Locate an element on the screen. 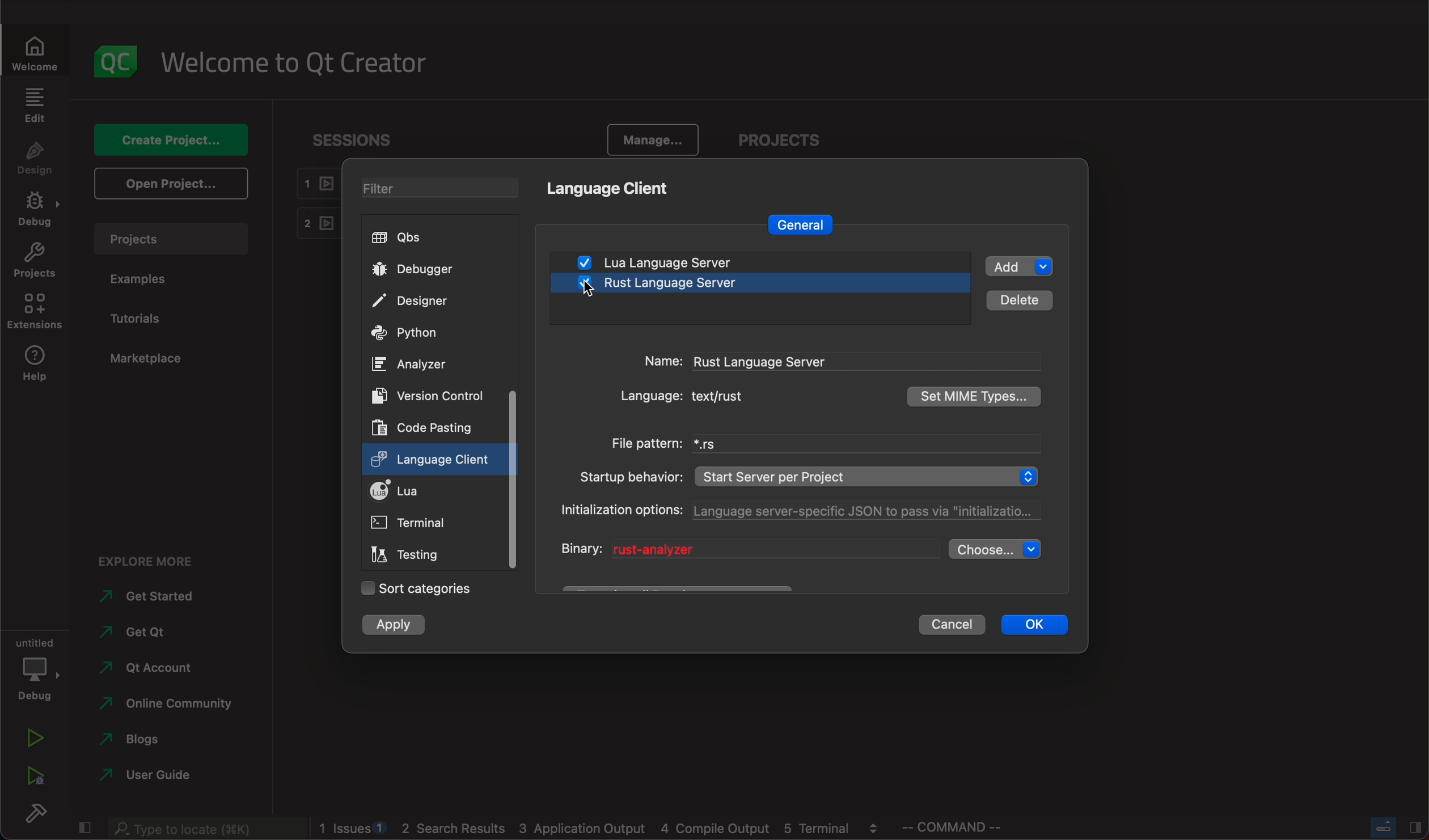 The height and width of the screenshot is (840, 1429). choose is located at coordinates (1001, 550).